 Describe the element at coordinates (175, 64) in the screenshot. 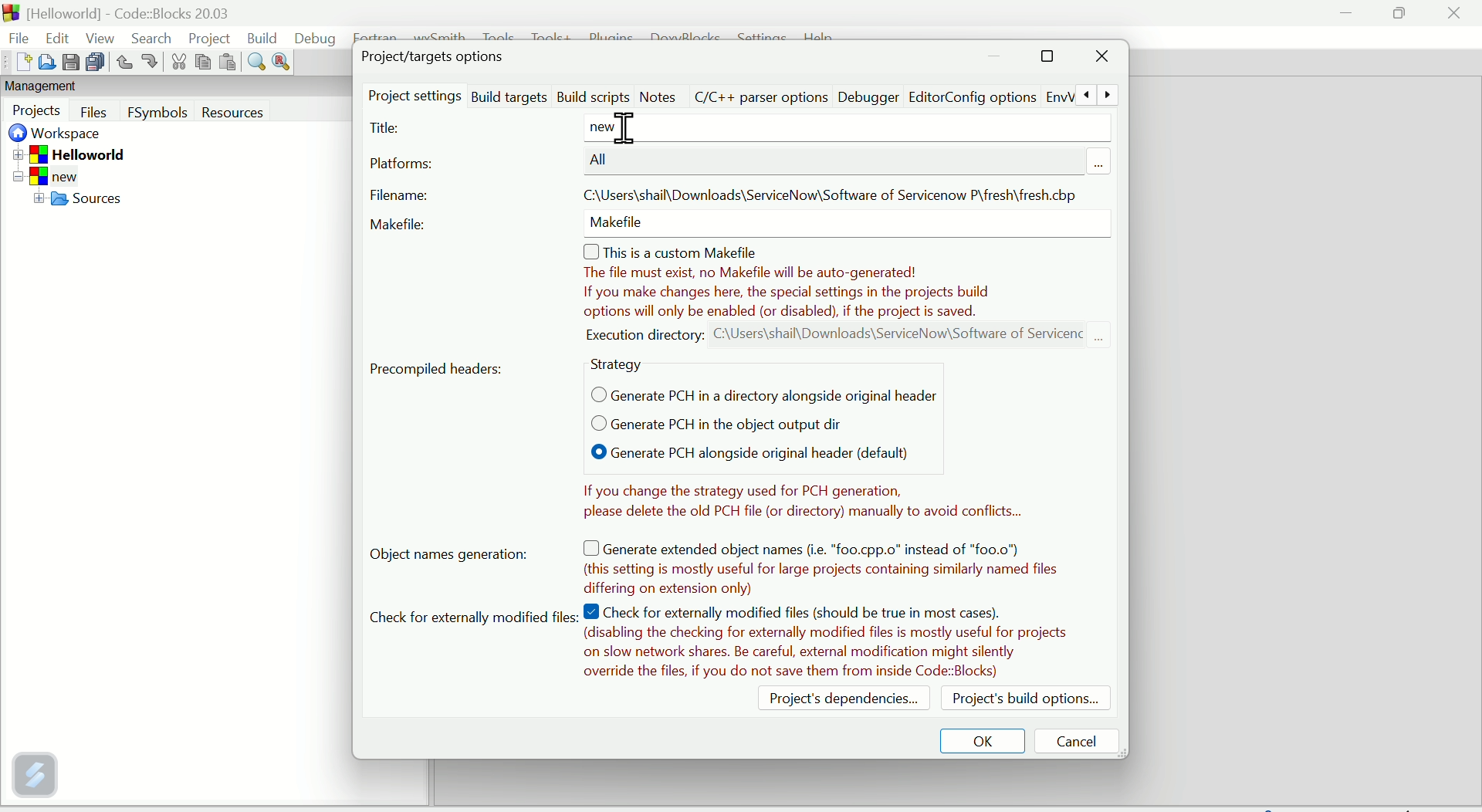

I see `Cut` at that location.